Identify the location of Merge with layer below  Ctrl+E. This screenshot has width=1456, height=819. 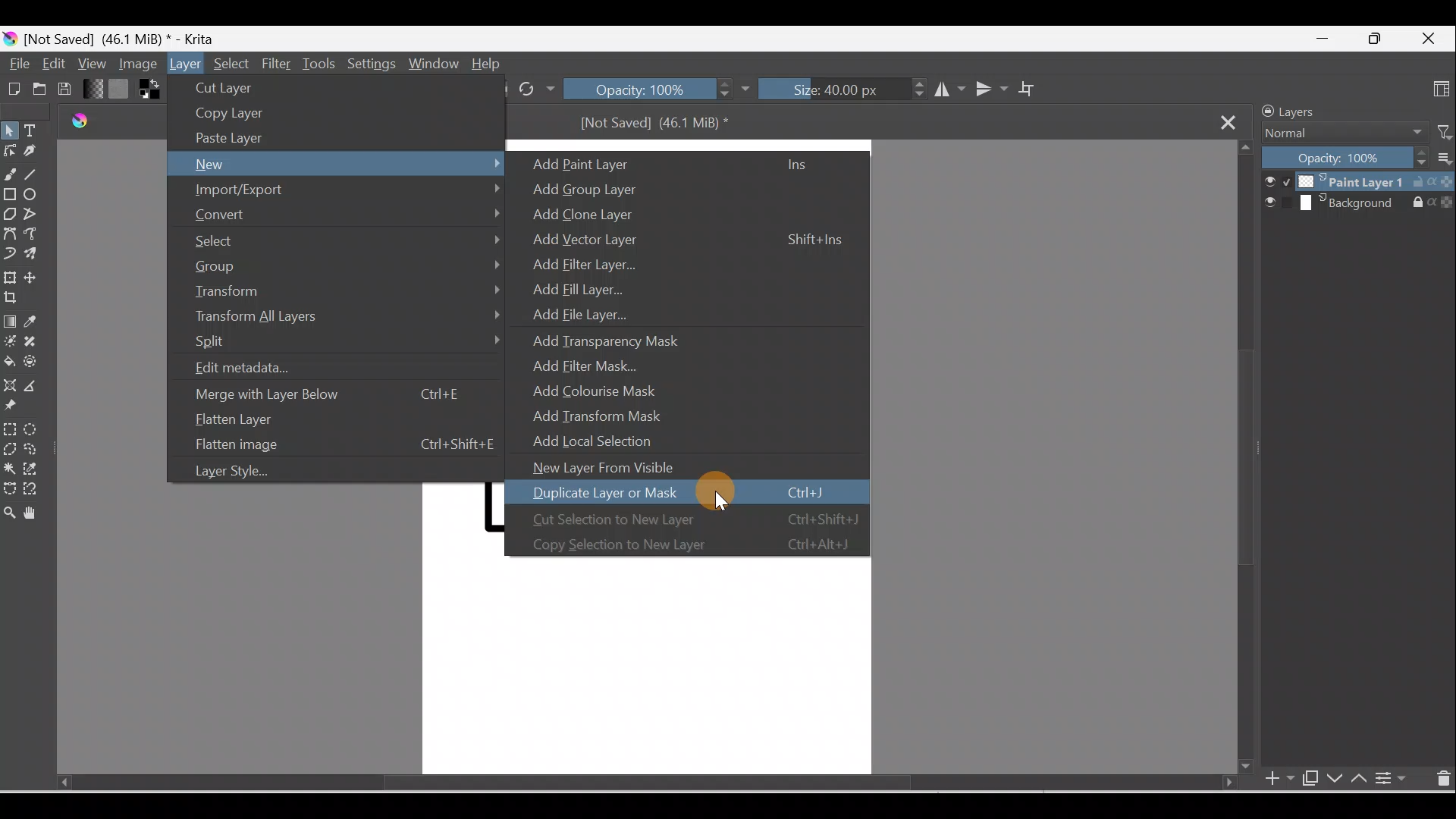
(331, 394).